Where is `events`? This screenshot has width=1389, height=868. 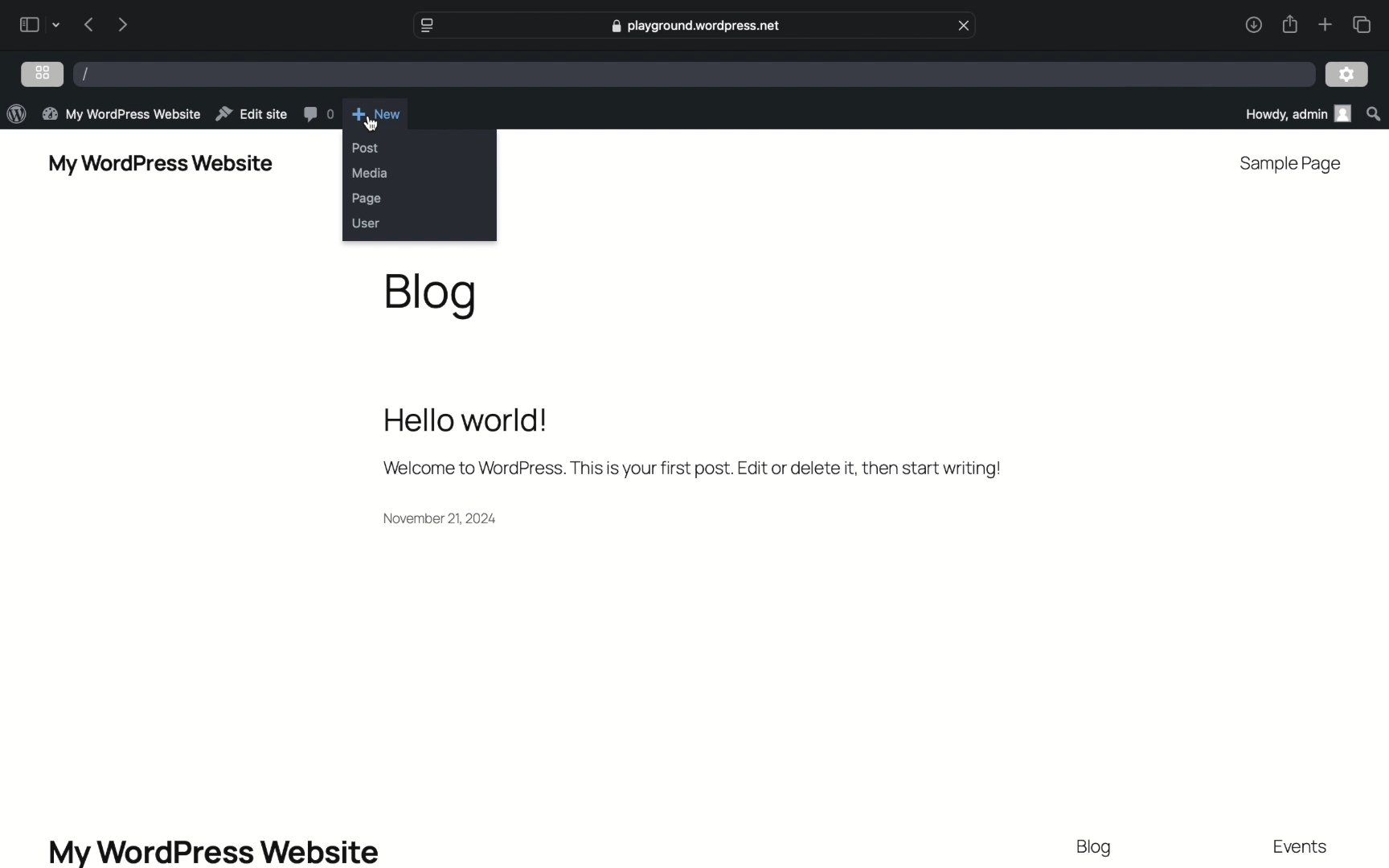
events is located at coordinates (1301, 847).